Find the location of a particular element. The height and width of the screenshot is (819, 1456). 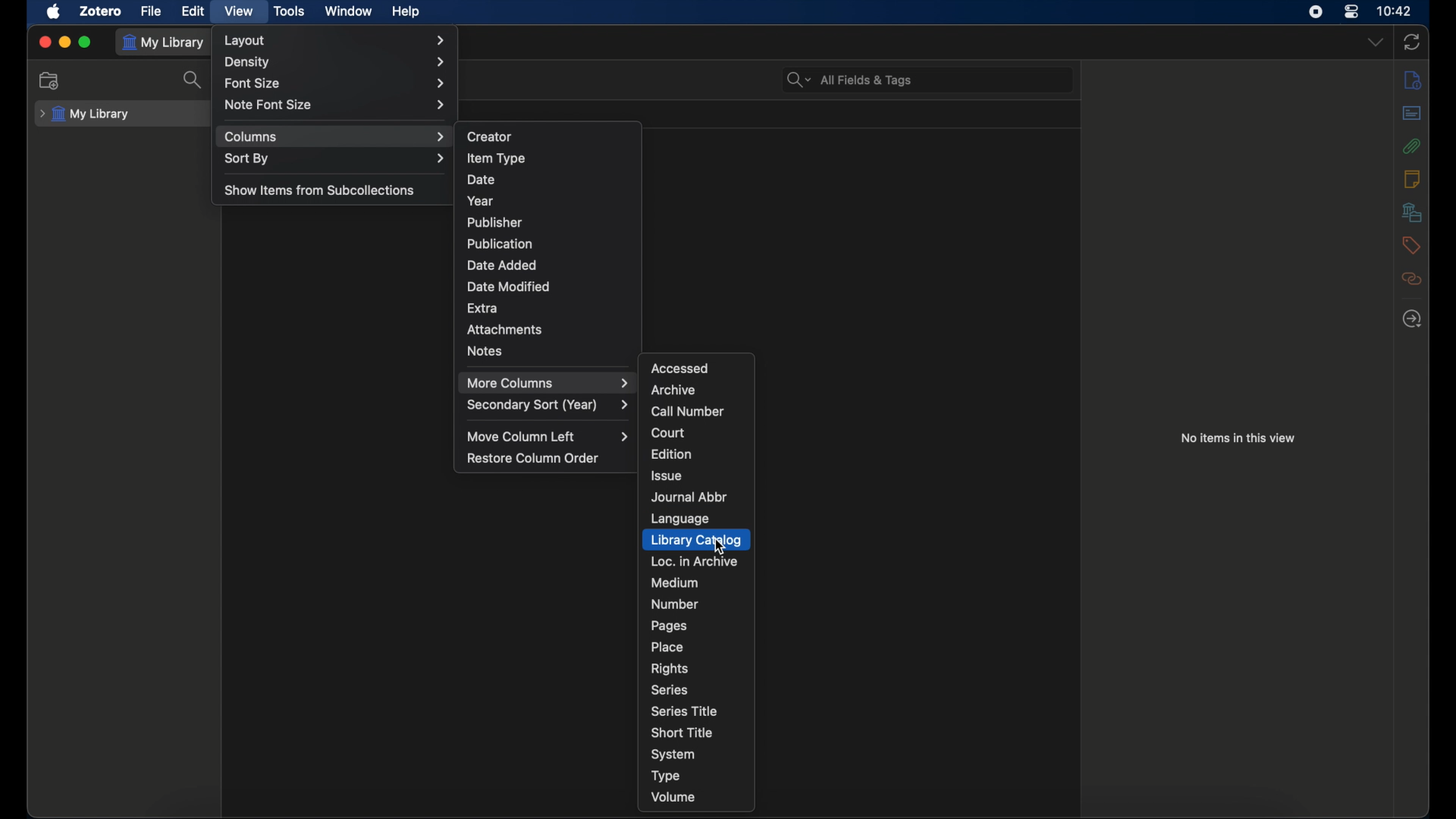

type is located at coordinates (666, 777).